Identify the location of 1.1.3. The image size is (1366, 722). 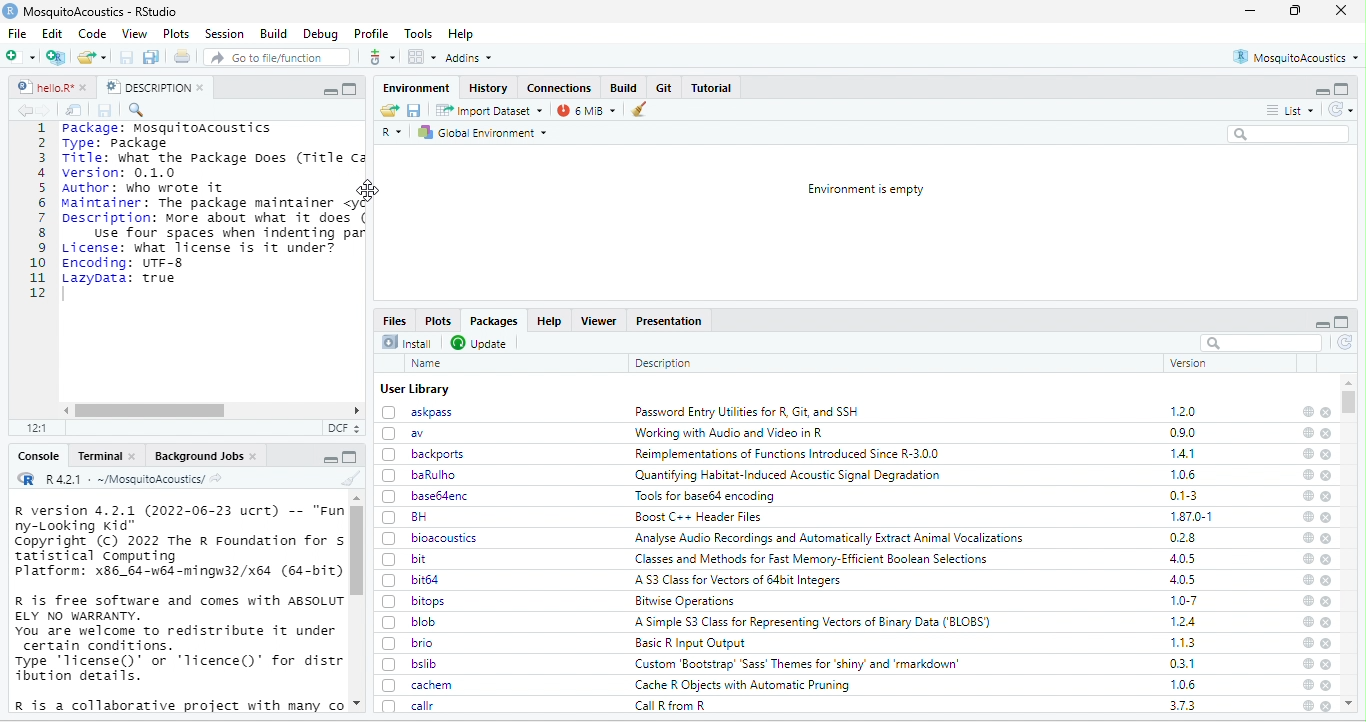
(1184, 642).